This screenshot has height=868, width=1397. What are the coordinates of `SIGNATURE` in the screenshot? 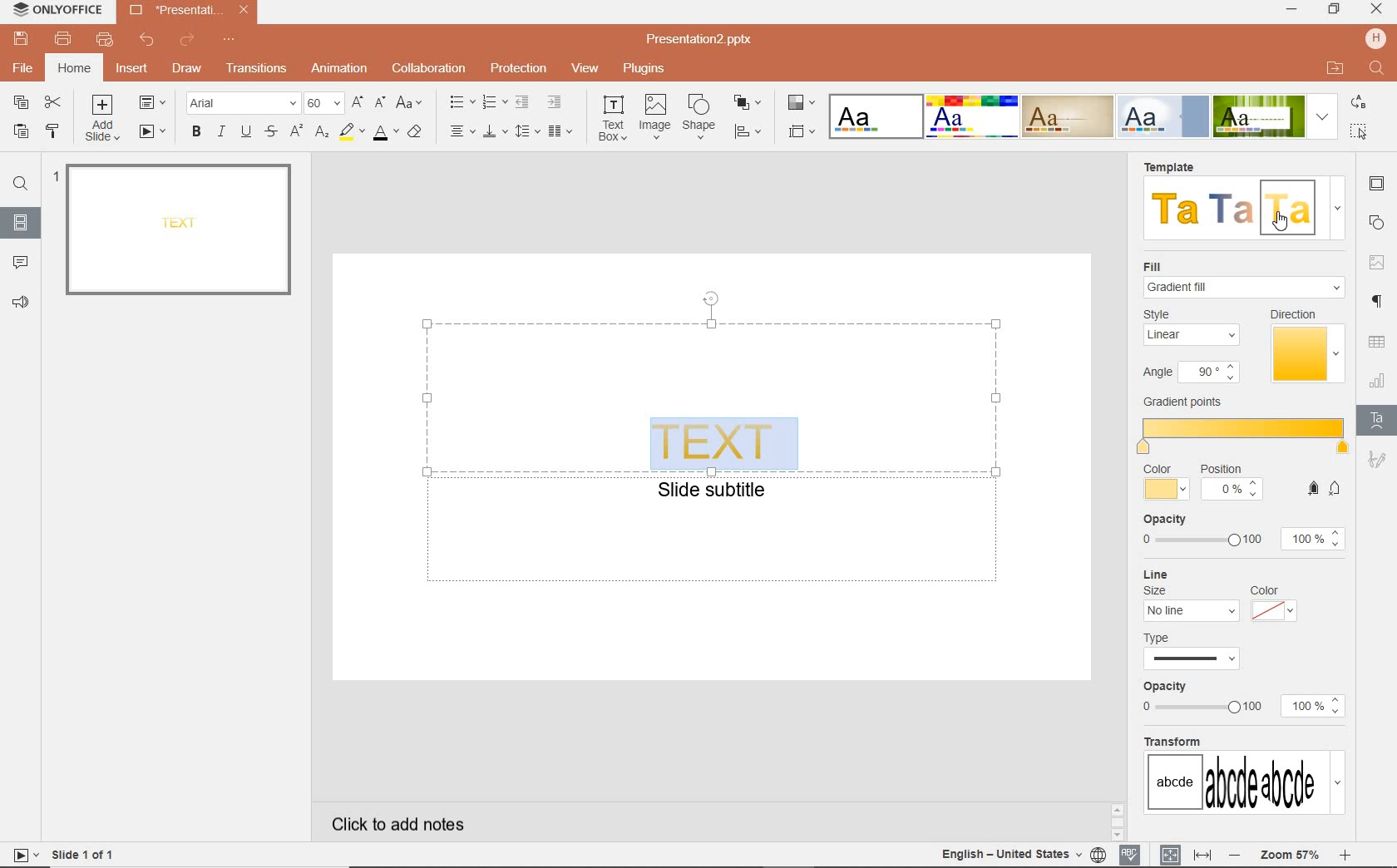 It's located at (1377, 460).